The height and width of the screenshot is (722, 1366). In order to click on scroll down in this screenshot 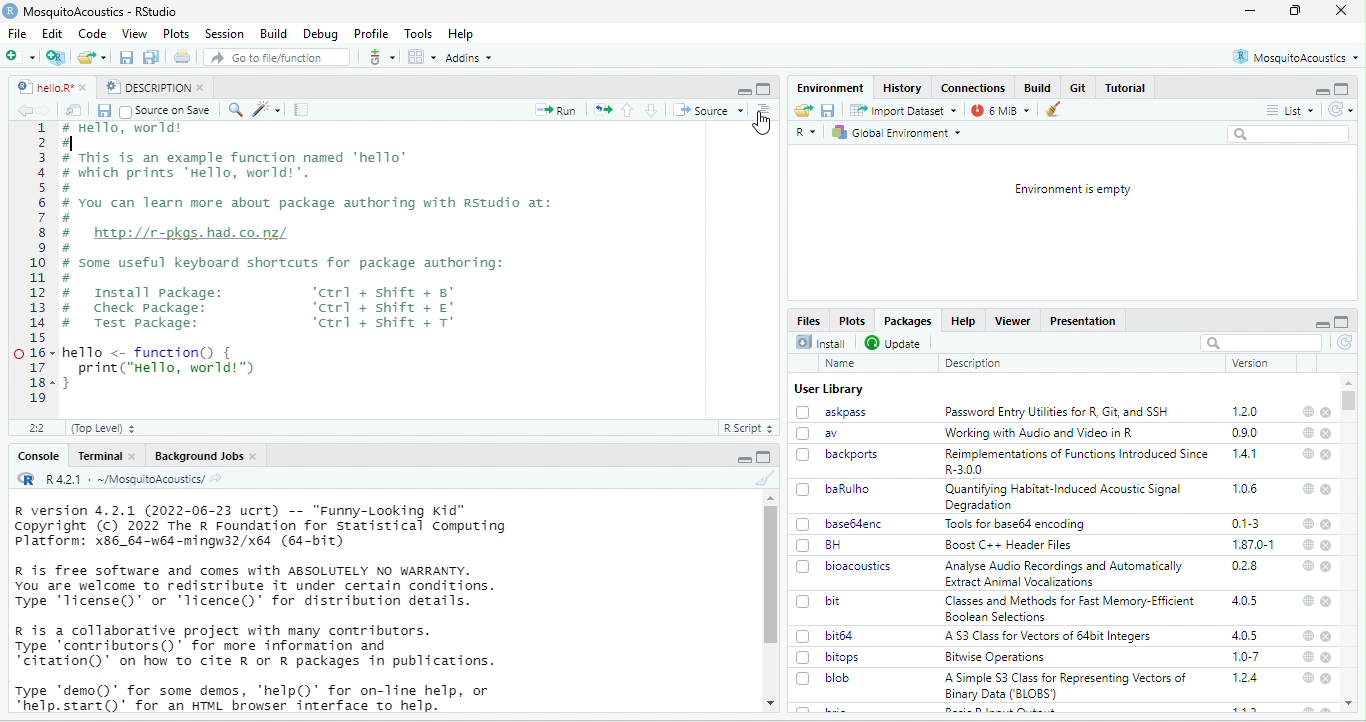, I will do `click(768, 704)`.